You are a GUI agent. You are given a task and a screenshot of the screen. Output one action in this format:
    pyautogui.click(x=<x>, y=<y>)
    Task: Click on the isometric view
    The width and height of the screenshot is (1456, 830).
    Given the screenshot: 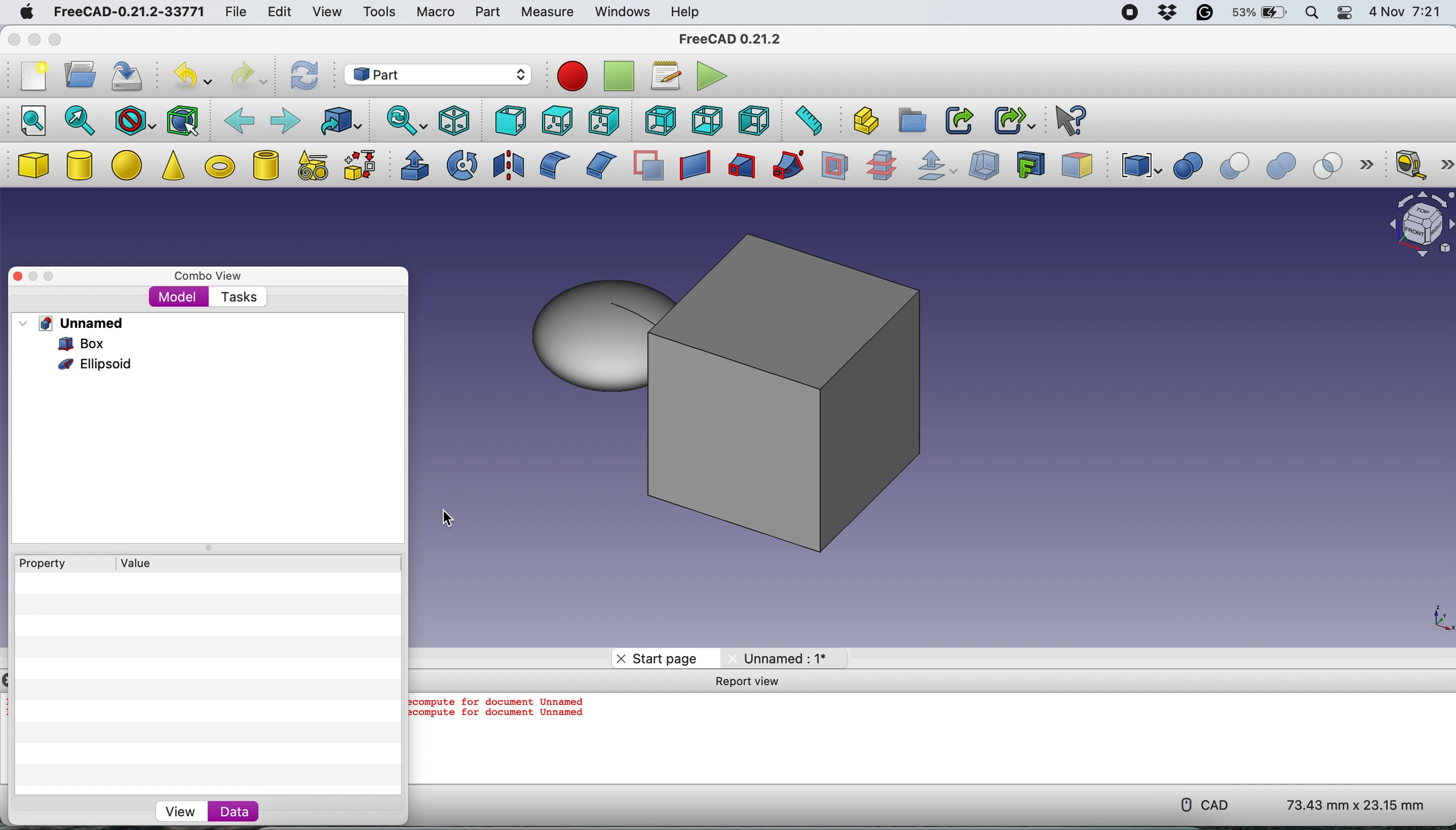 What is the action you would take?
    pyautogui.click(x=455, y=120)
    